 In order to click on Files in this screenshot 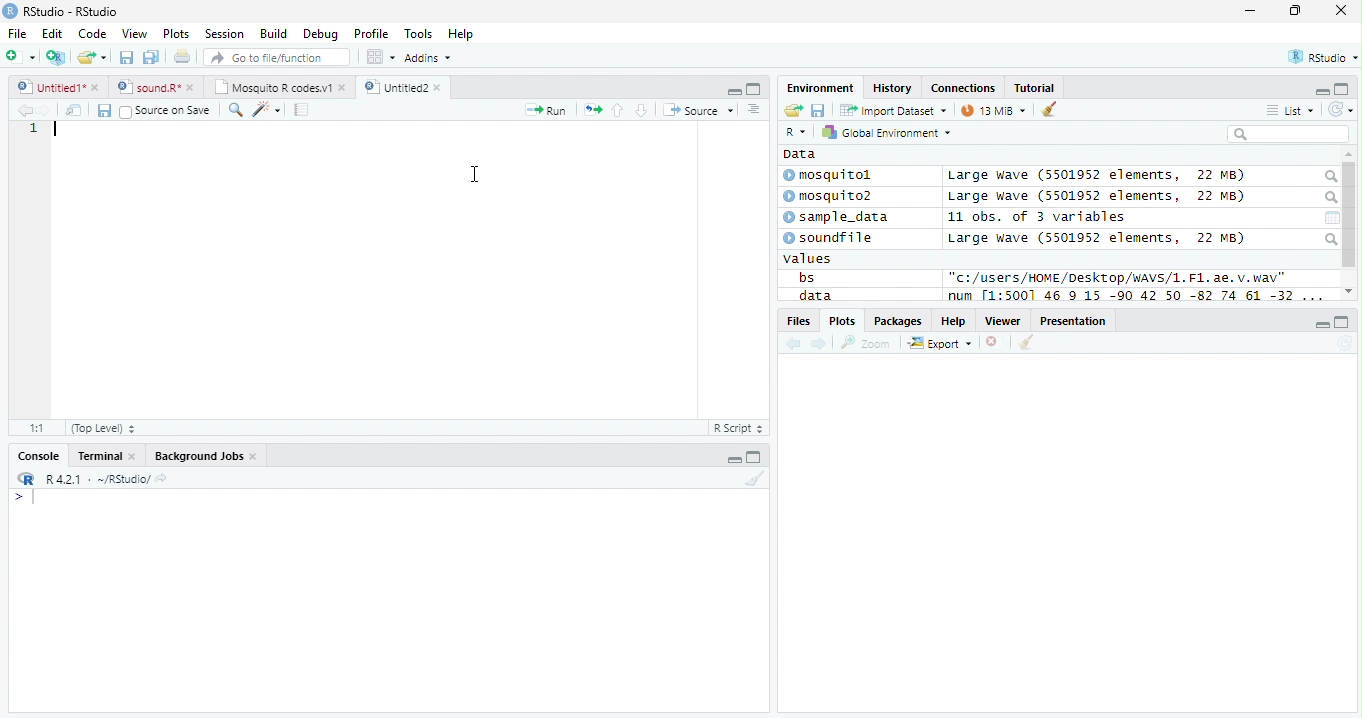, I will do `click(797, 321)`.